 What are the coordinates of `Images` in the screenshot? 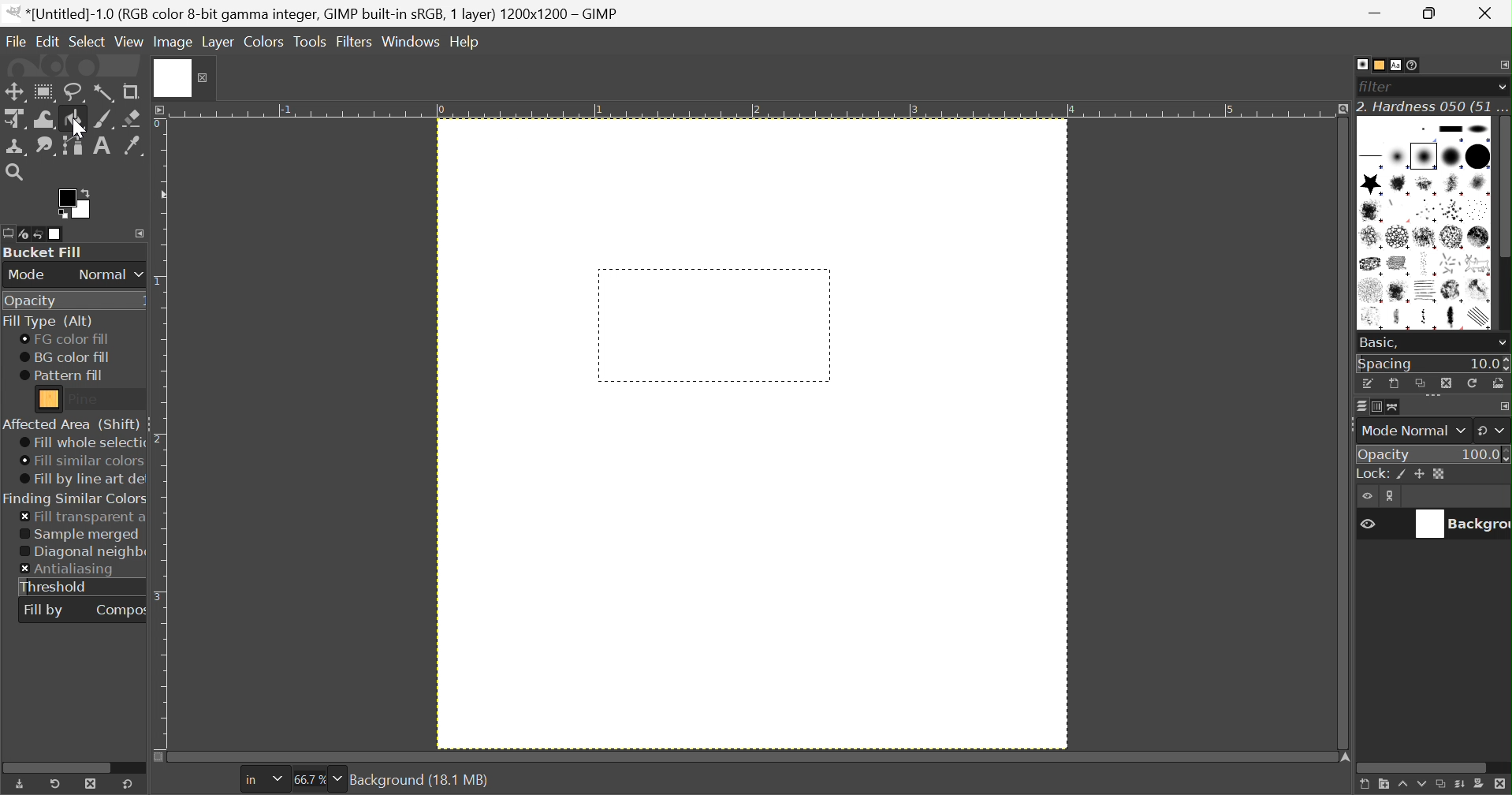 It's located at (57, 234).